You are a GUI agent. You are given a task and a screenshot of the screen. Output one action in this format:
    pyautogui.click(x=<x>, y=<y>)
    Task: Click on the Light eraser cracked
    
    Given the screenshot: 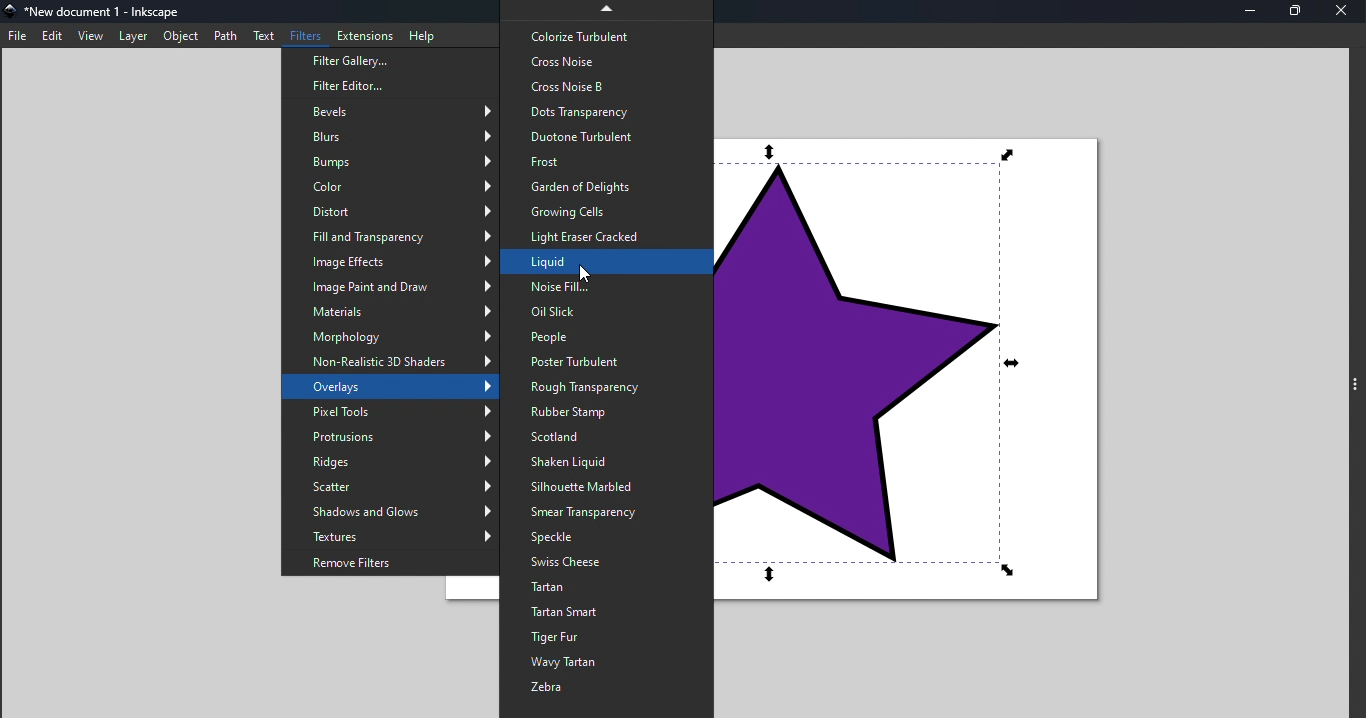 What is the action you would take?
    pyautogui.click(x=603, y=235)
    